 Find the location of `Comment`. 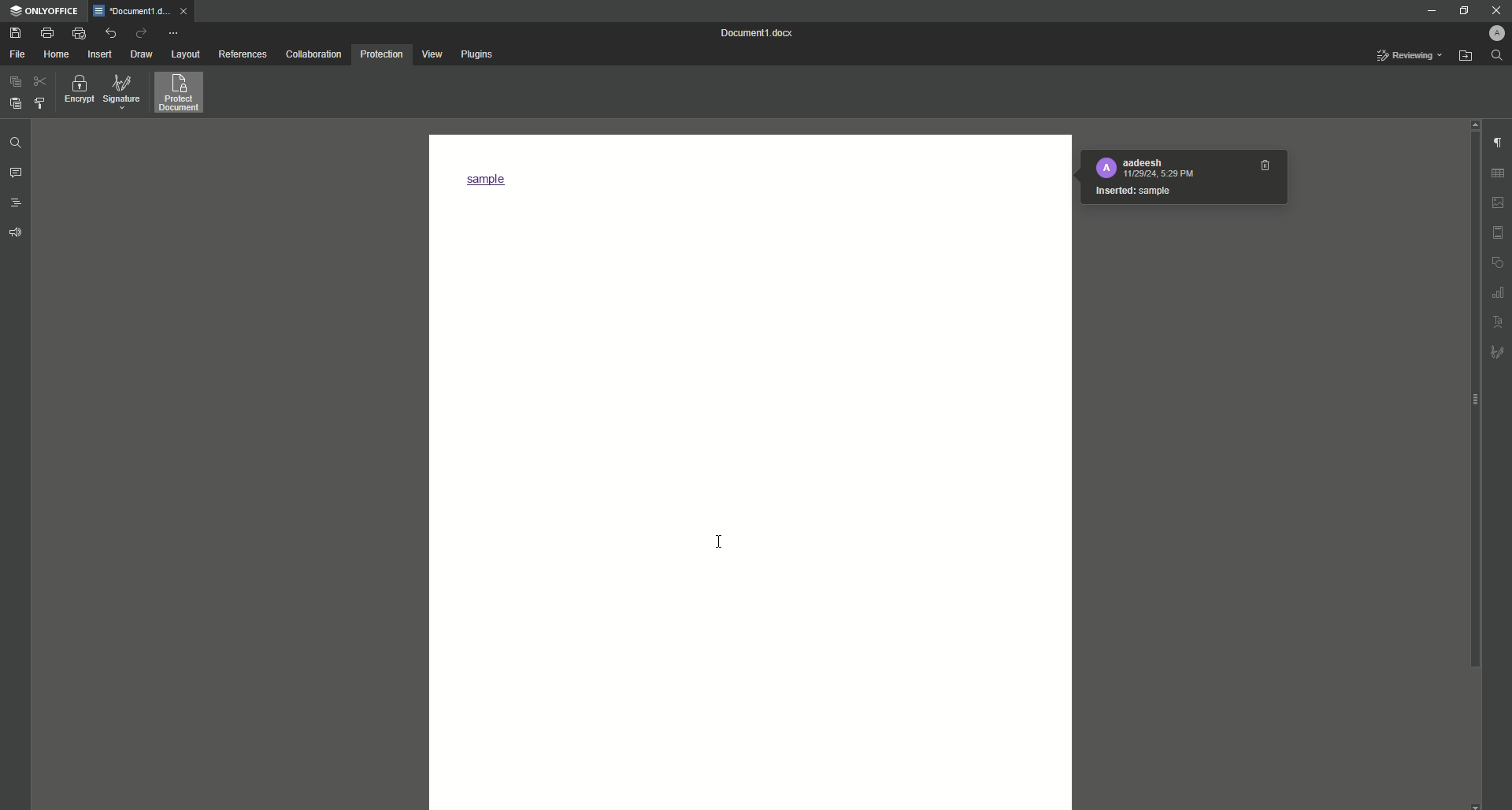

Comment is located at coordinates (17, 174).